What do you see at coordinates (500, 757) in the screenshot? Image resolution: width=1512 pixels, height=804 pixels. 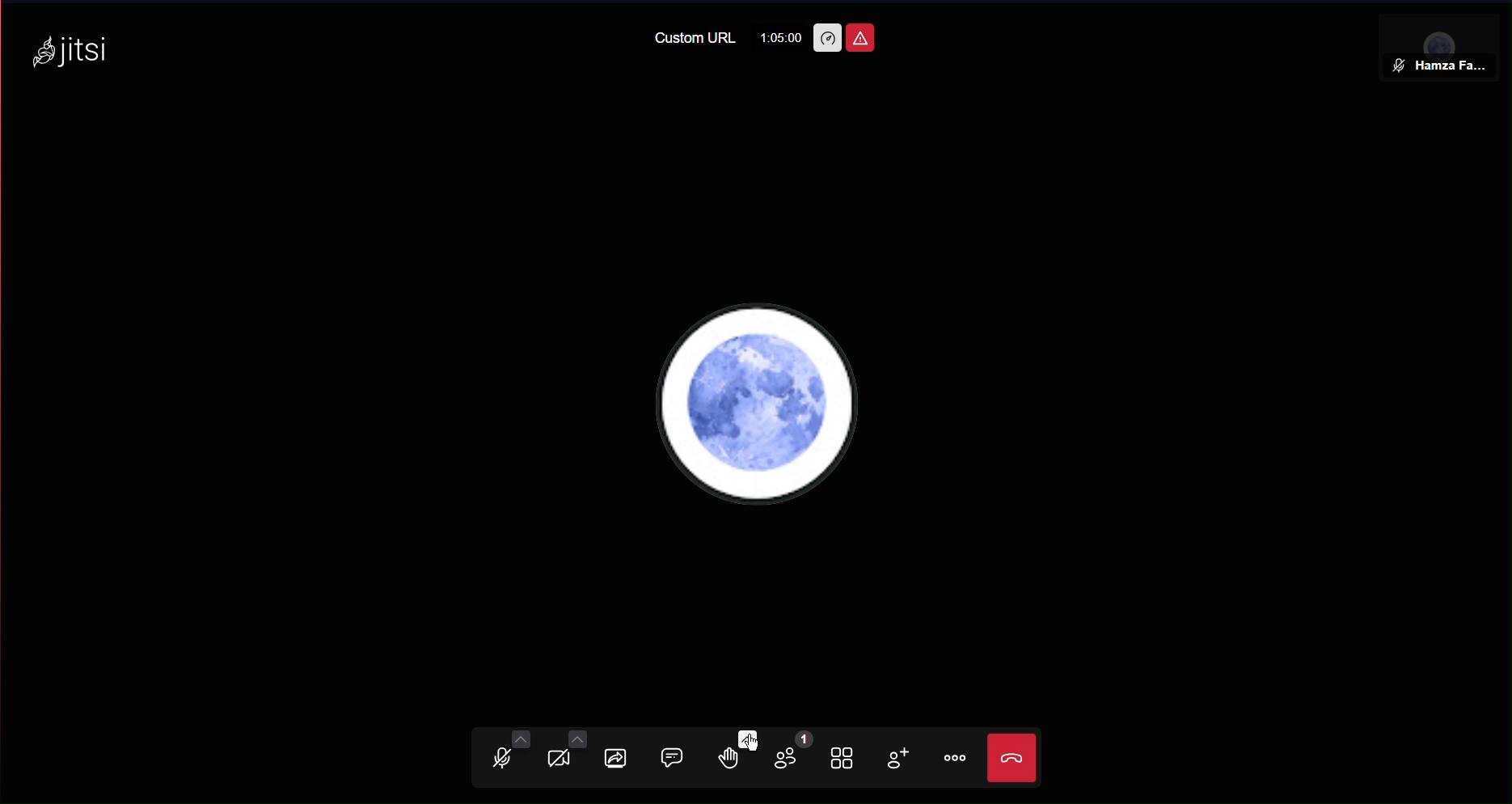 I see `Audio` at bounding box center [500, 757].